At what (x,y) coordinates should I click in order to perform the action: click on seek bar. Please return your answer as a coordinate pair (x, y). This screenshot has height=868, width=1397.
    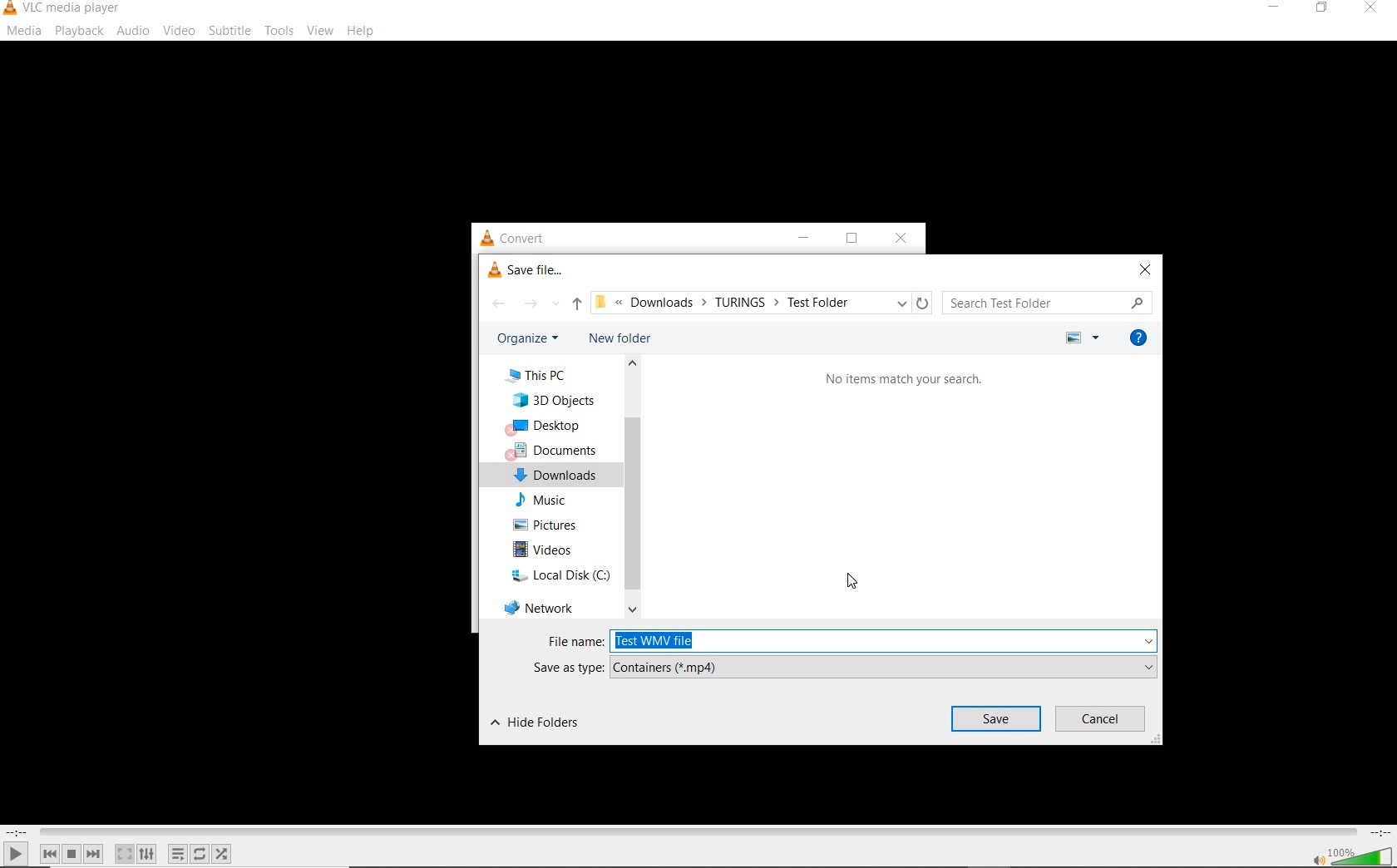
    Looking at the image, I should click on (696, 832).